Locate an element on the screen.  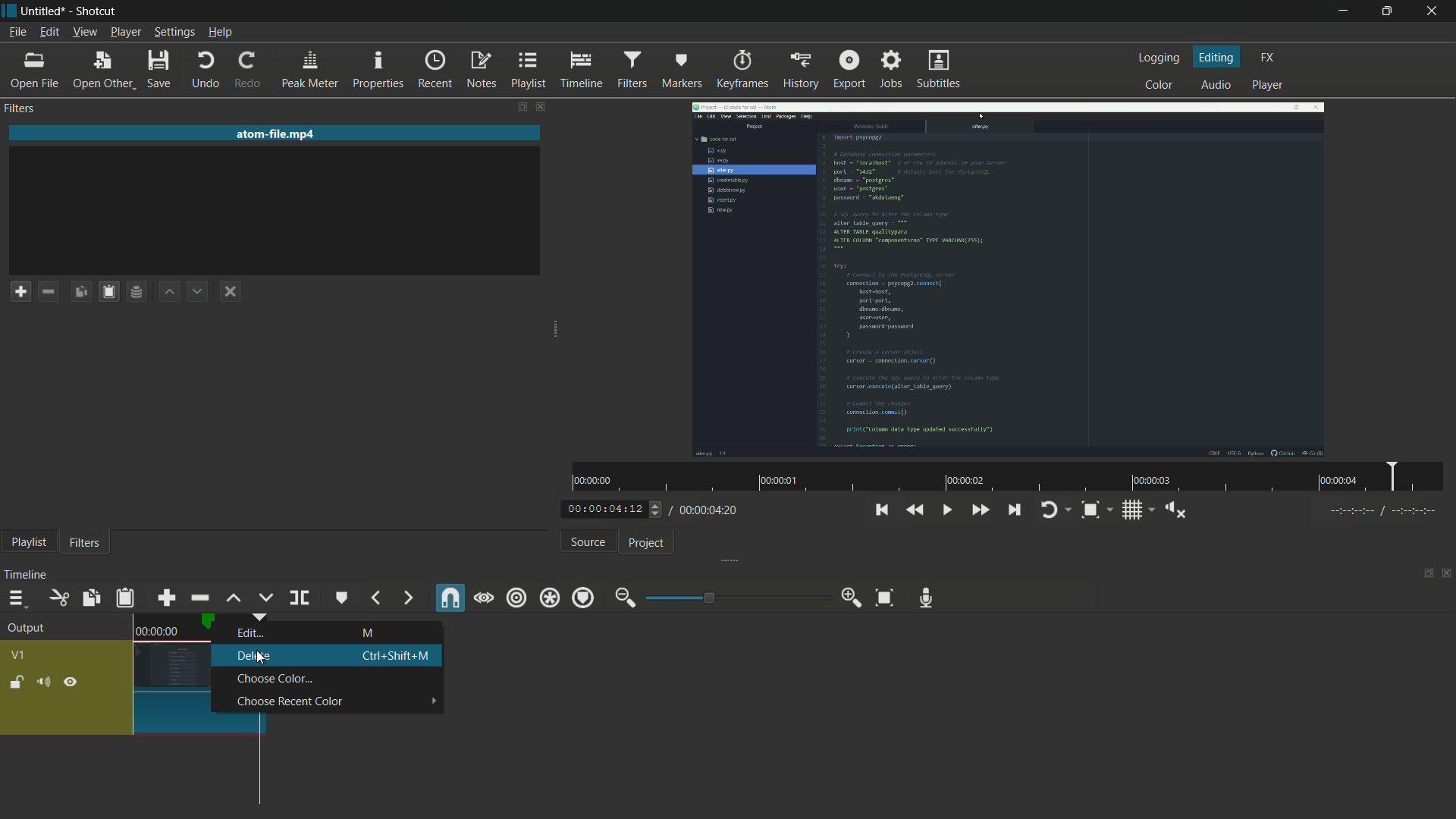
current time is located at coordinates (604, 510).